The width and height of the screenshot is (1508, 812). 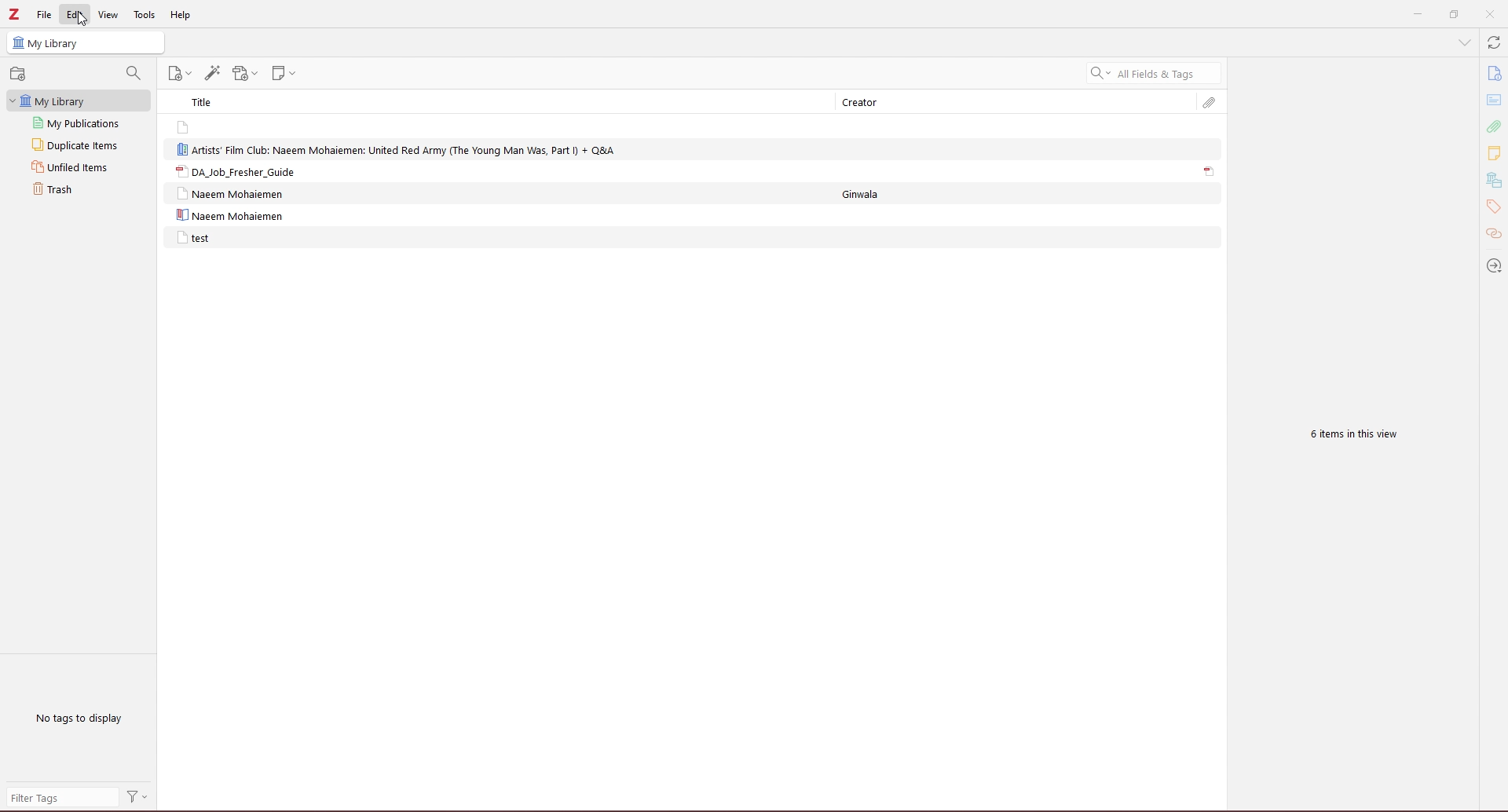 What do you see at coordinates (1494, 43) in the screenshot?
I see `sync to zotero.org` at bounding box center [1494, 43].